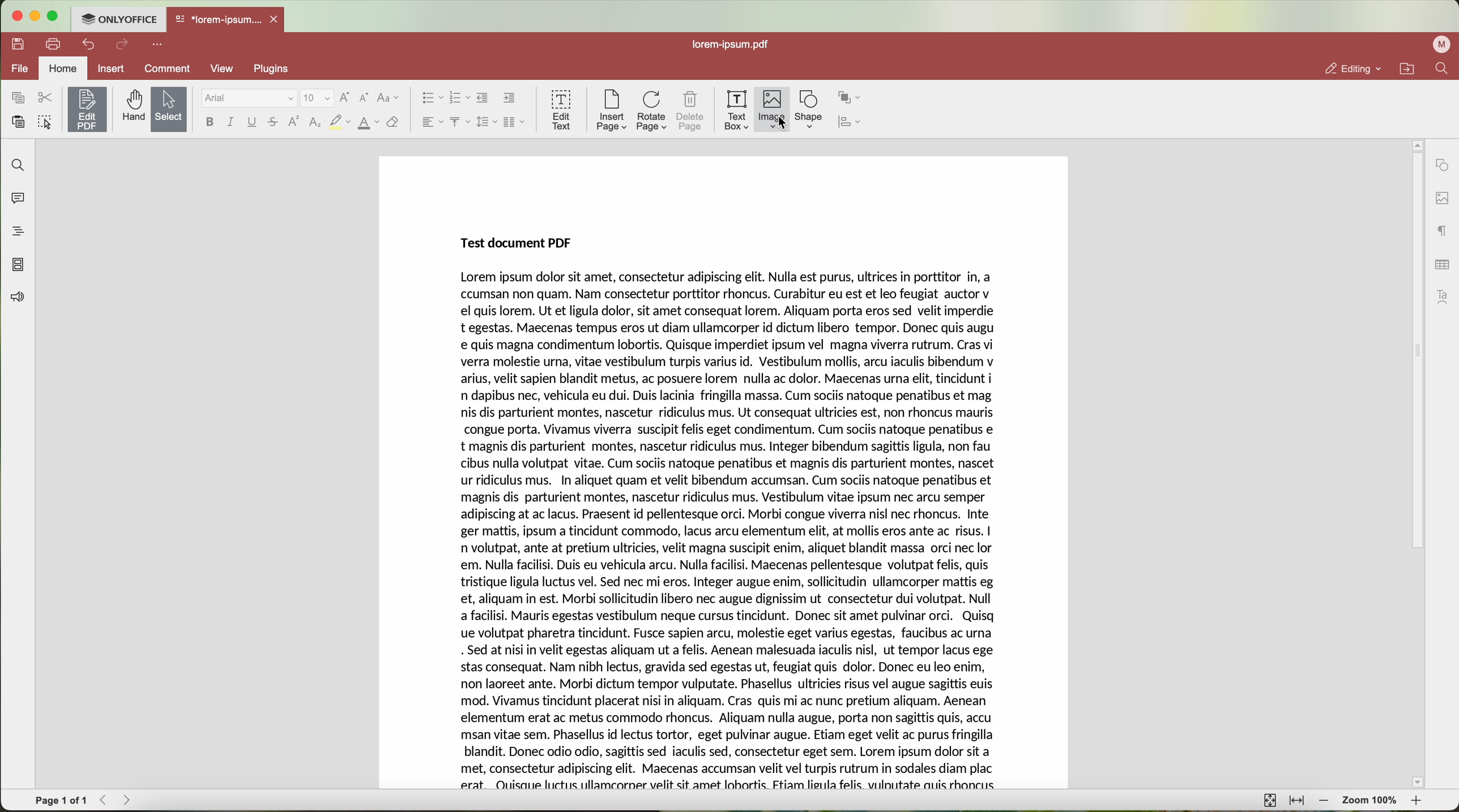  I want to click on size font, so click(317, 99).